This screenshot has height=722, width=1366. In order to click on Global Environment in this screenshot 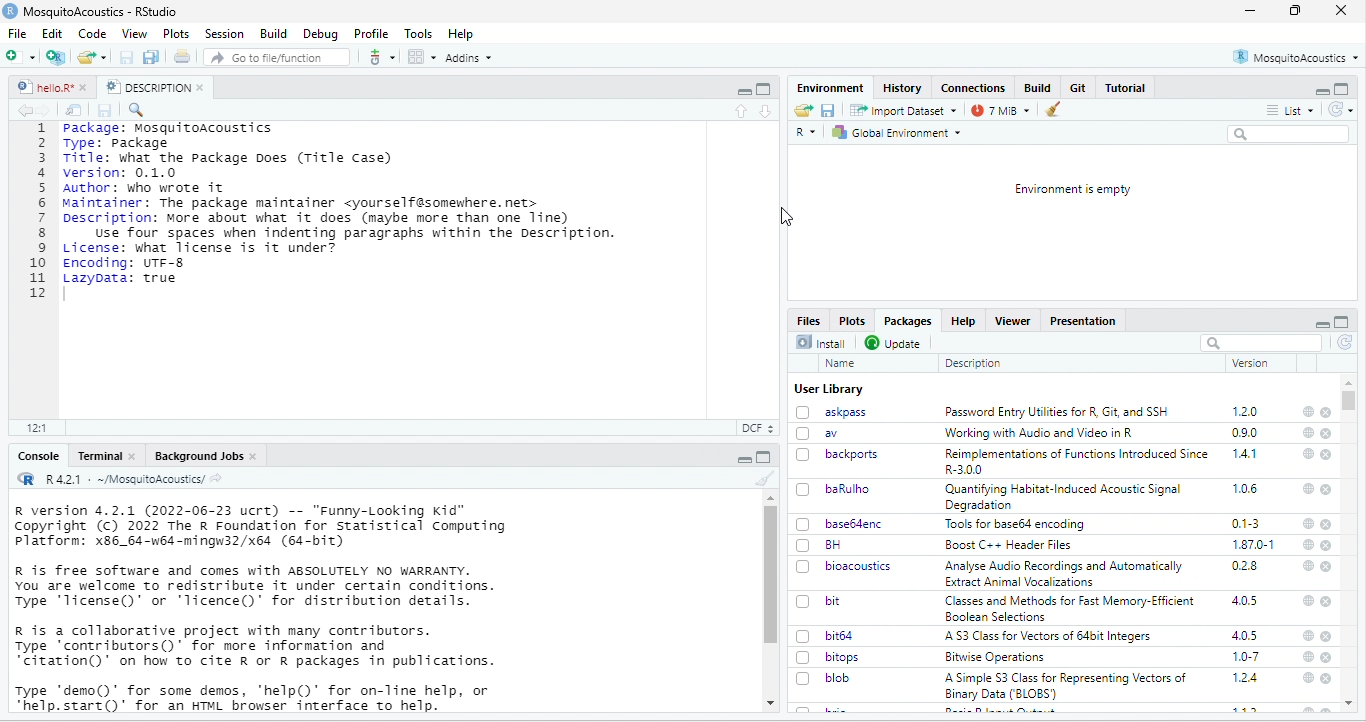, I will do `click(901, 132)`.